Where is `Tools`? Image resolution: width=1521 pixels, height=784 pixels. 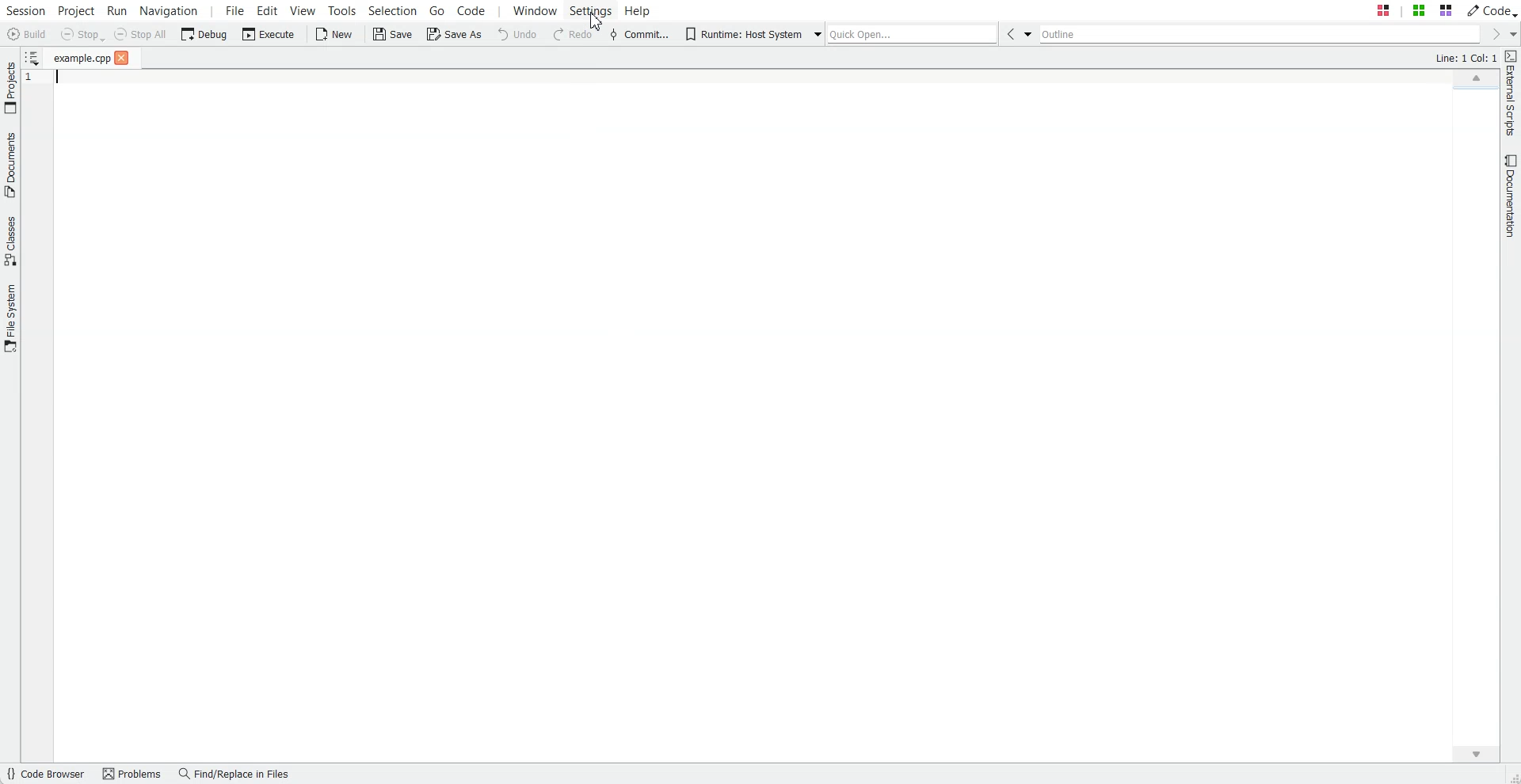 Tools is located at coordinates (341, 10).